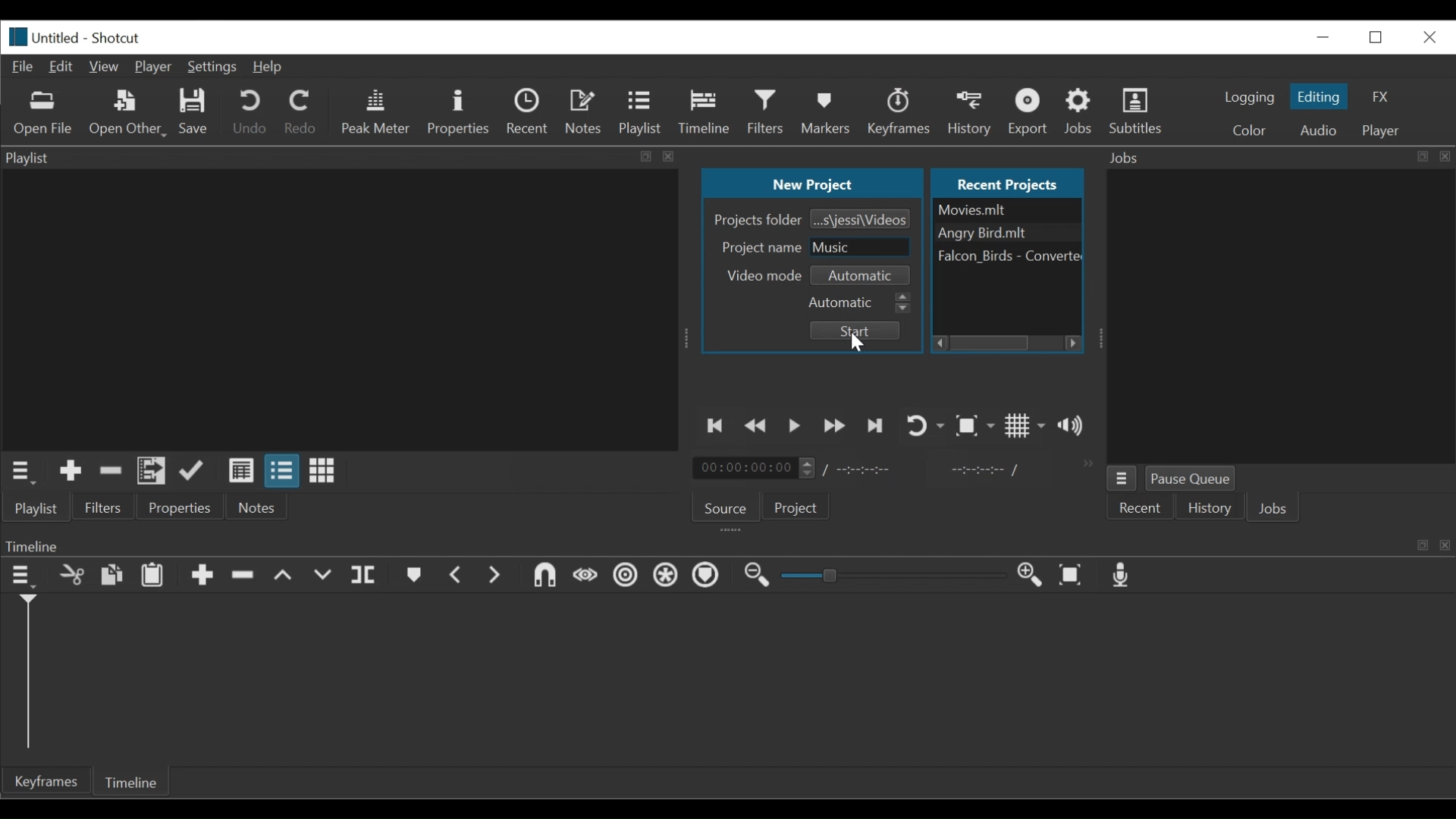 The image size is (1456, 819). Describe the element at coordinates (71, 471) in the screenshot. I see `Add the Source to the playlist` at that location.